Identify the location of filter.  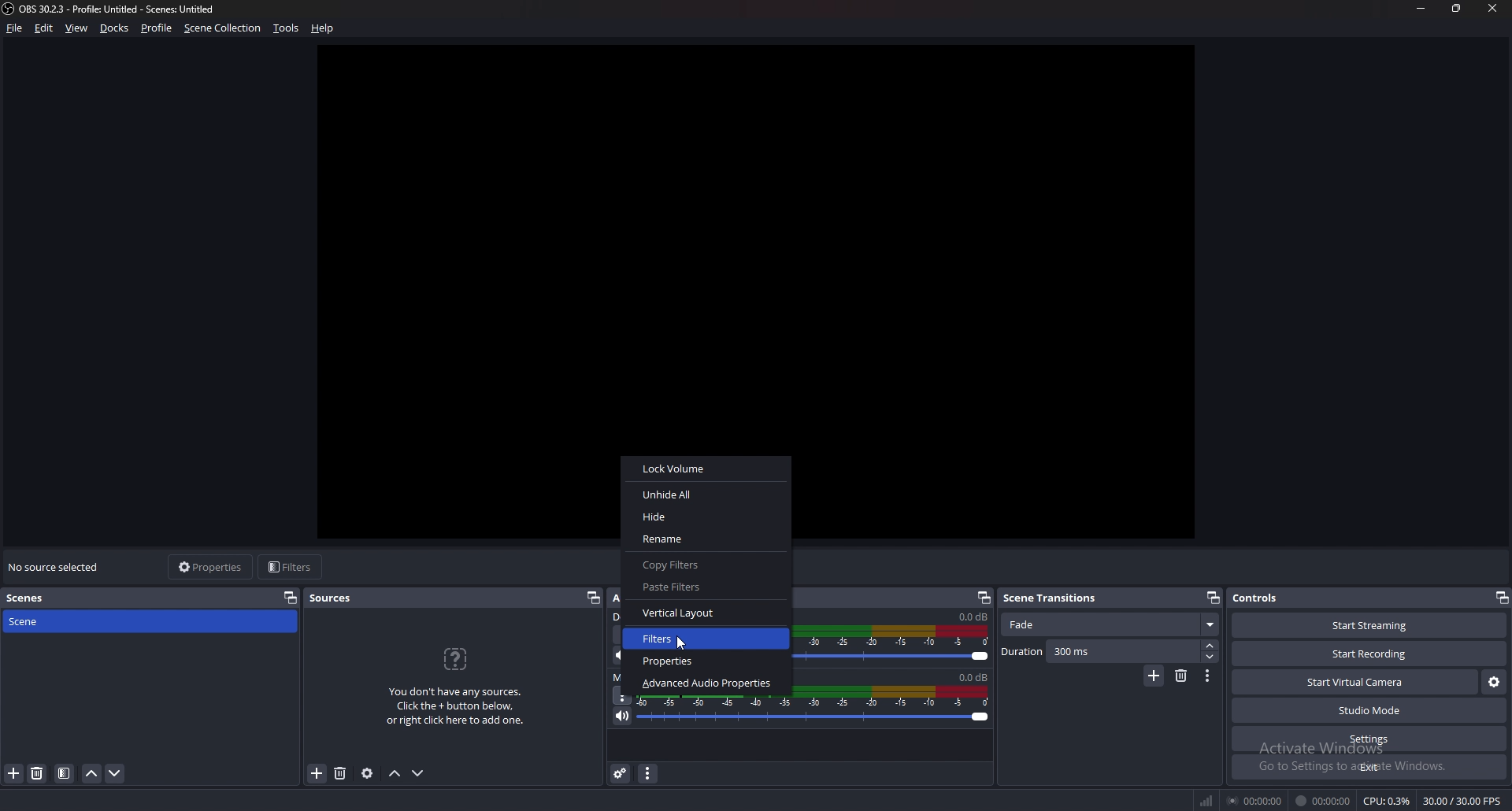
(65, 773).